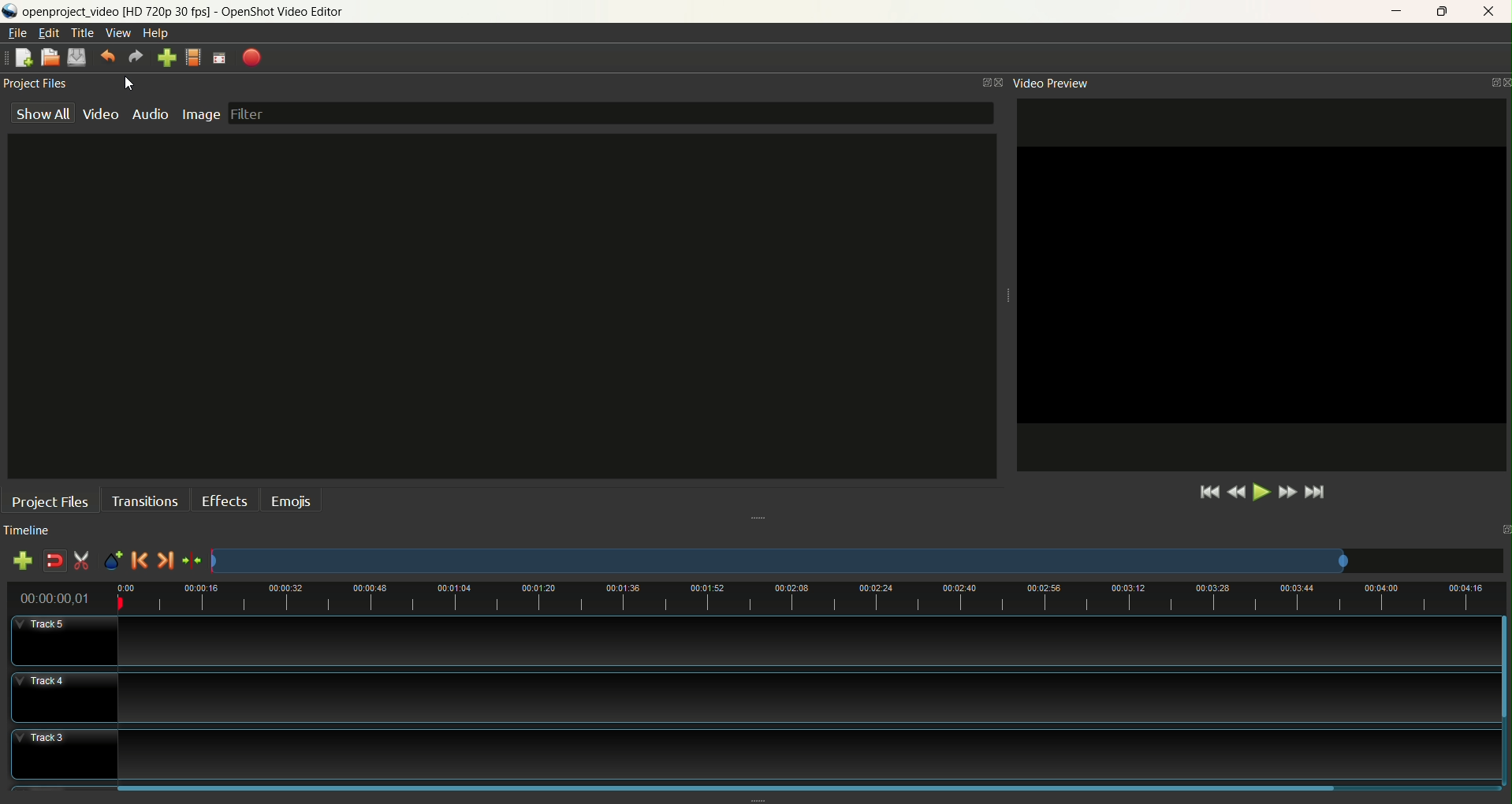 The height and width of the screenshot is (804, 1512). What do you see at coordinates (79, 57) in the screenshot?
I see `save project` at bounding box center [79, 57].